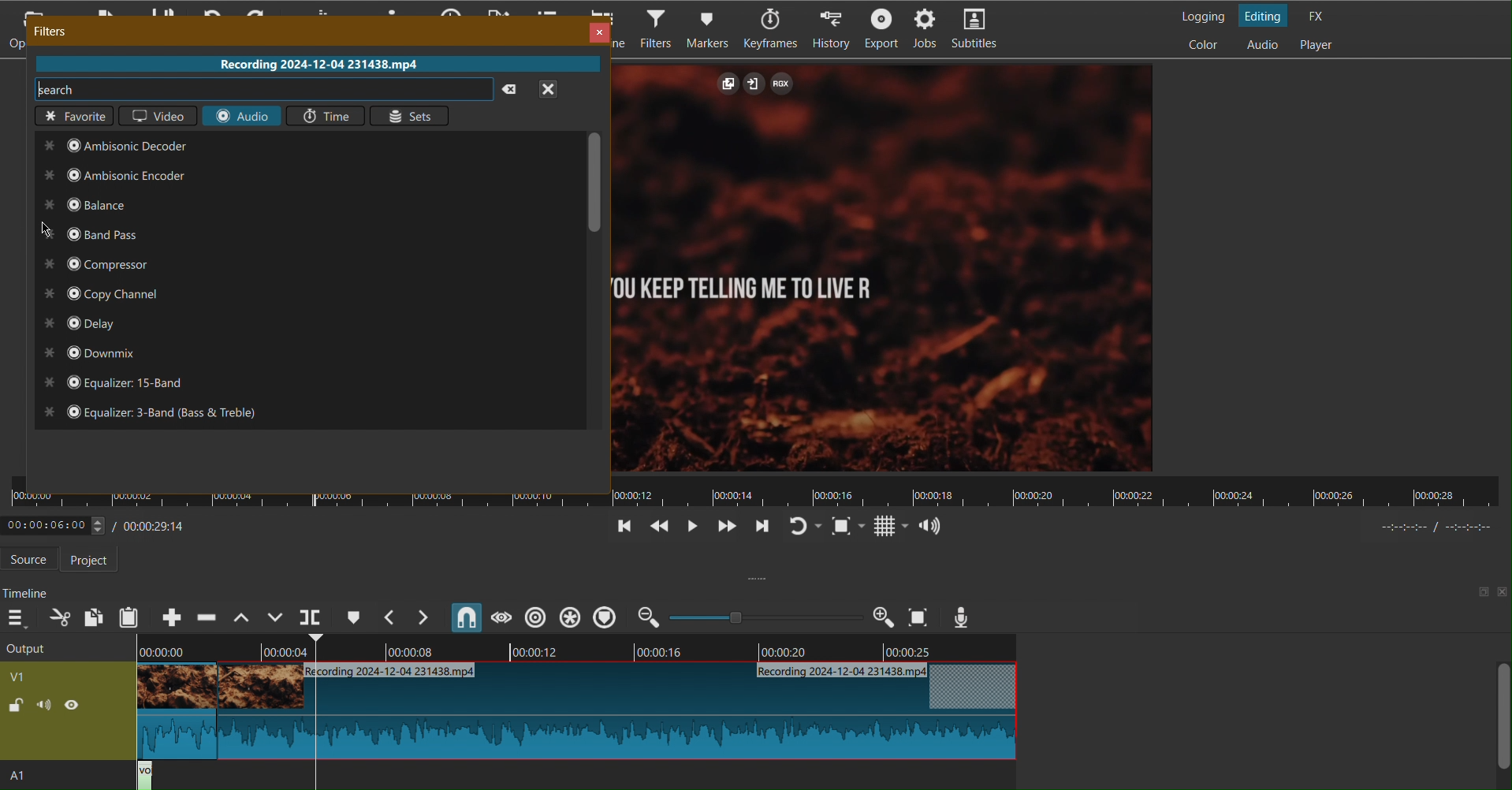 The height and width of the screenshot is (790, 1512). I want to click on Zoom, so click(765, 614).